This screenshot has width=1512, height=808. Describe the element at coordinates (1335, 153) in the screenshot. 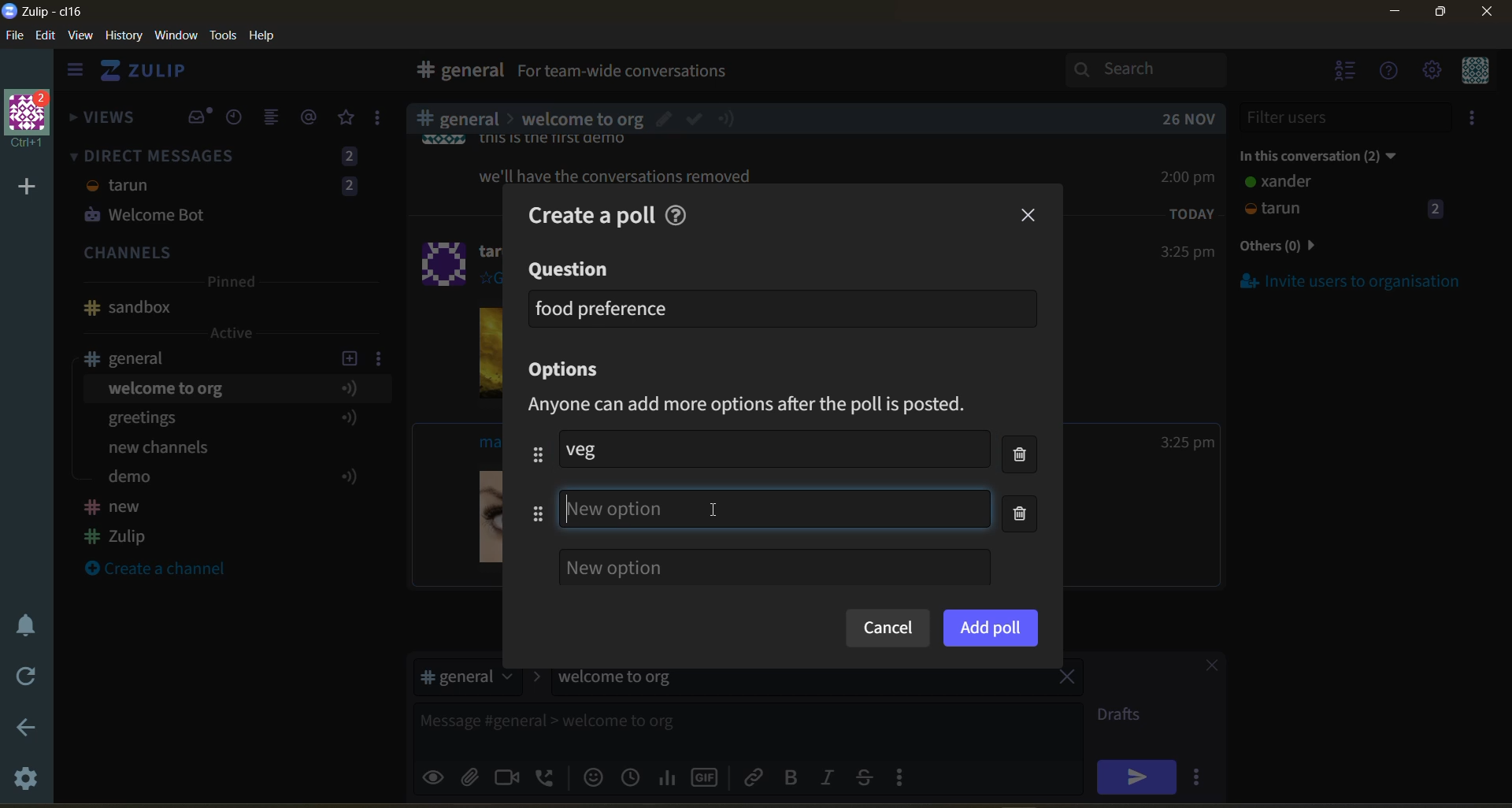

I see `in this conversation` at that location.